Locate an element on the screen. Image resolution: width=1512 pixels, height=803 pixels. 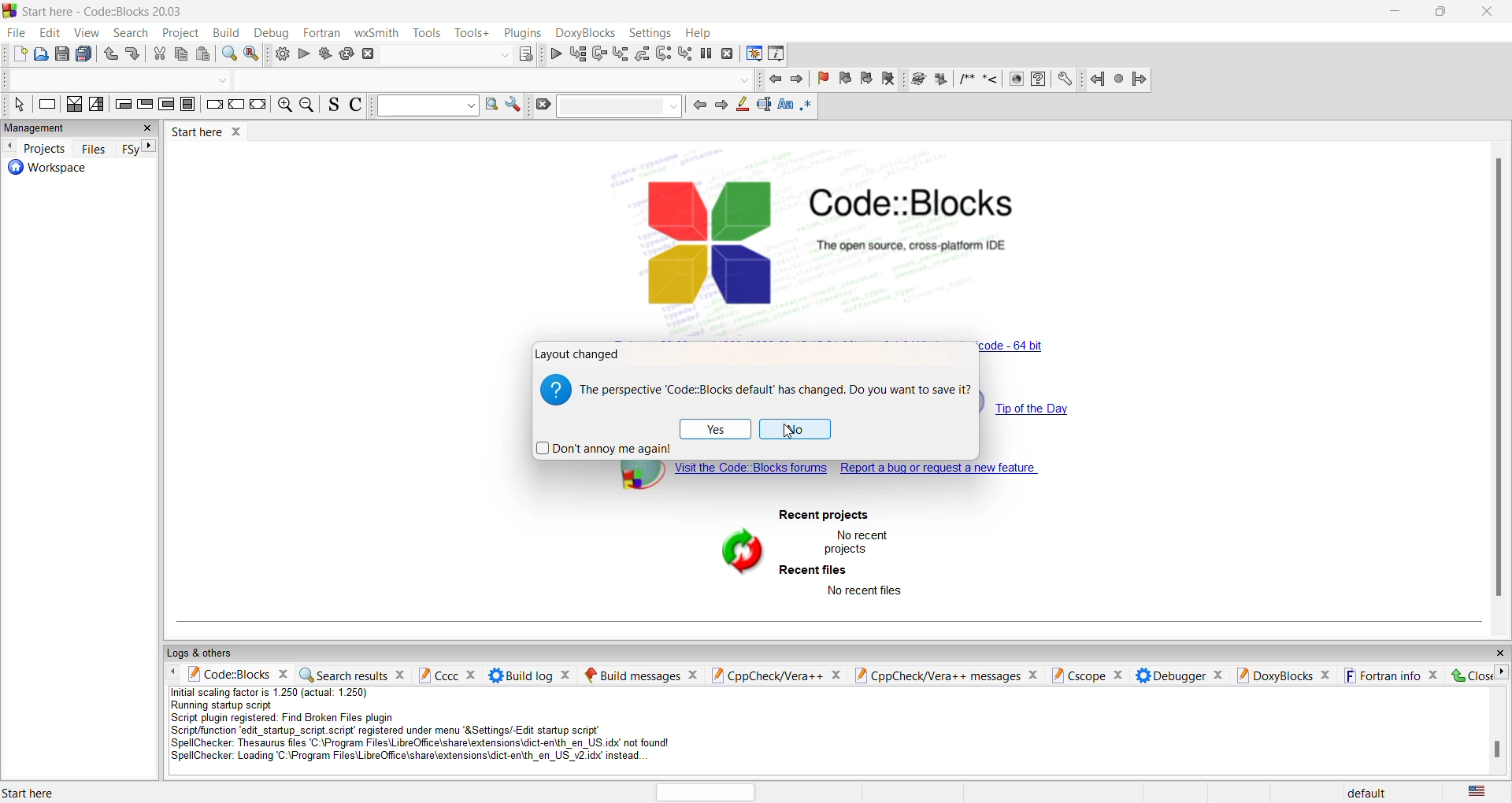
projects is located at coordinates (46, 148).